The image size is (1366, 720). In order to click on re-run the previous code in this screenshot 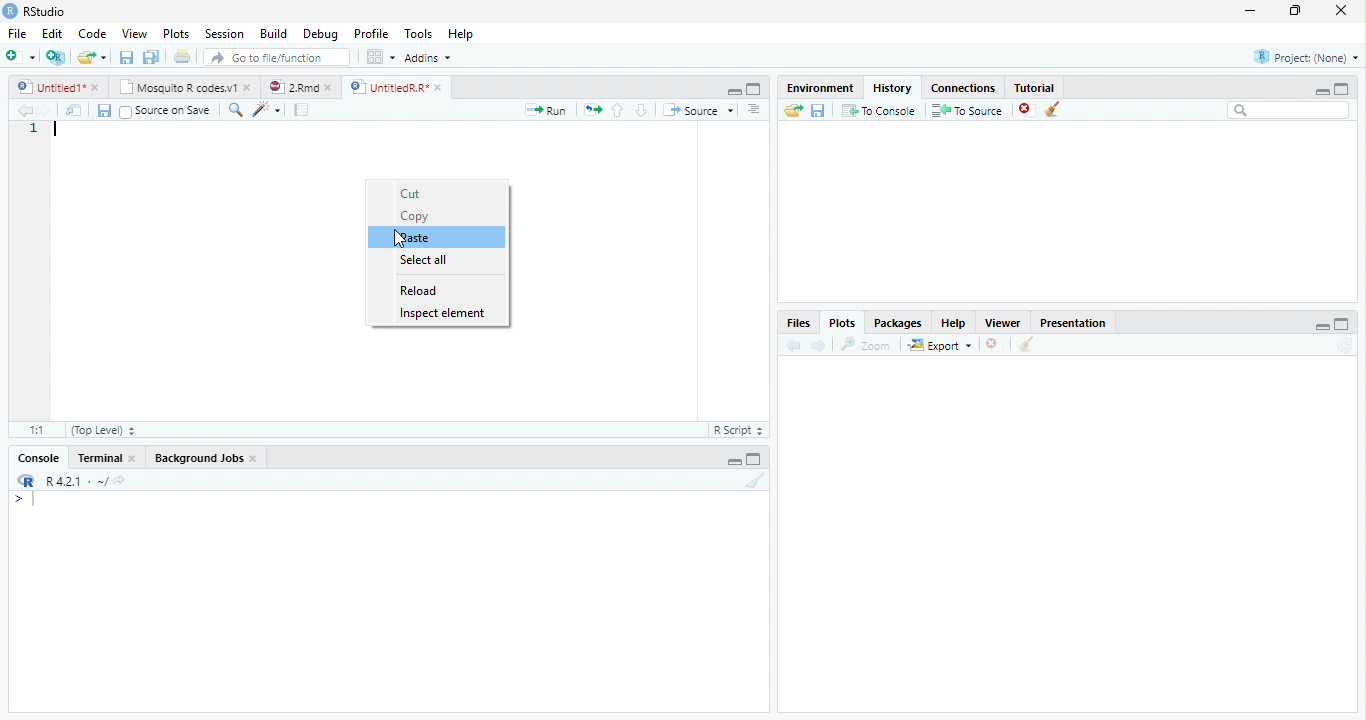, I will do `click(592, 109)`.